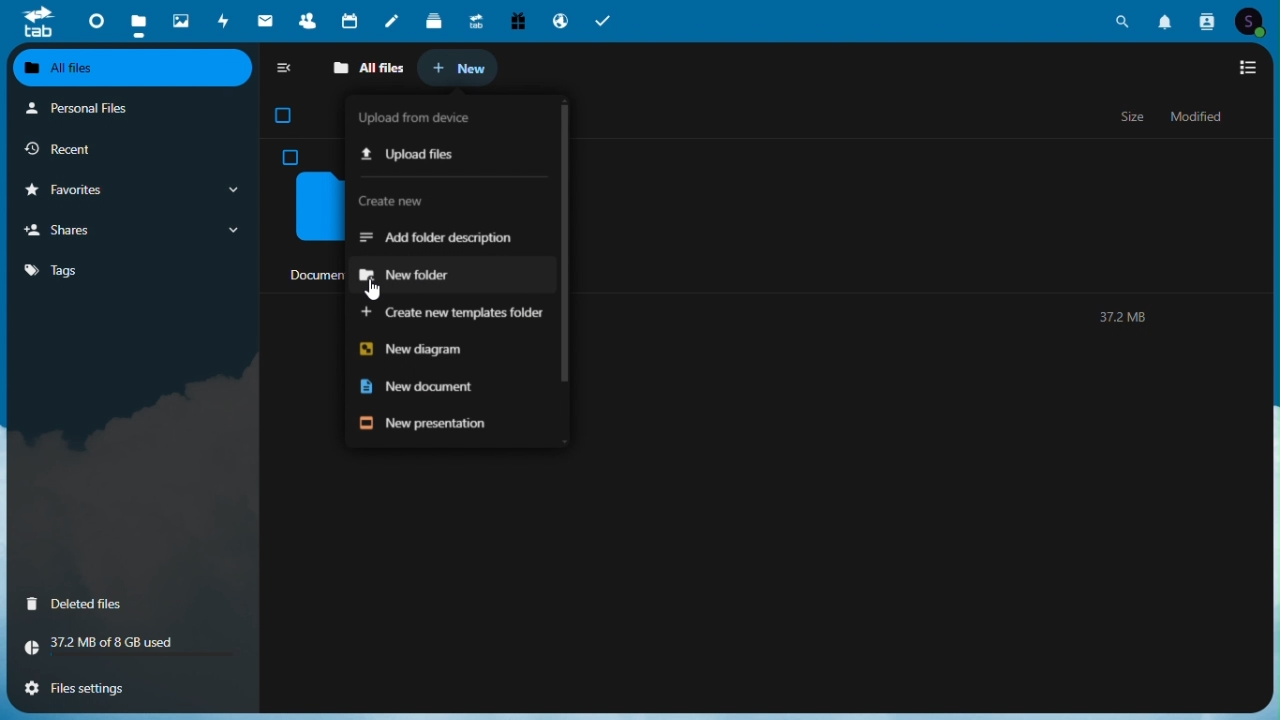  What do you see at coordinates (446, 275) in the screenshot?
I see `New folder` at bounding box center [446, 275].